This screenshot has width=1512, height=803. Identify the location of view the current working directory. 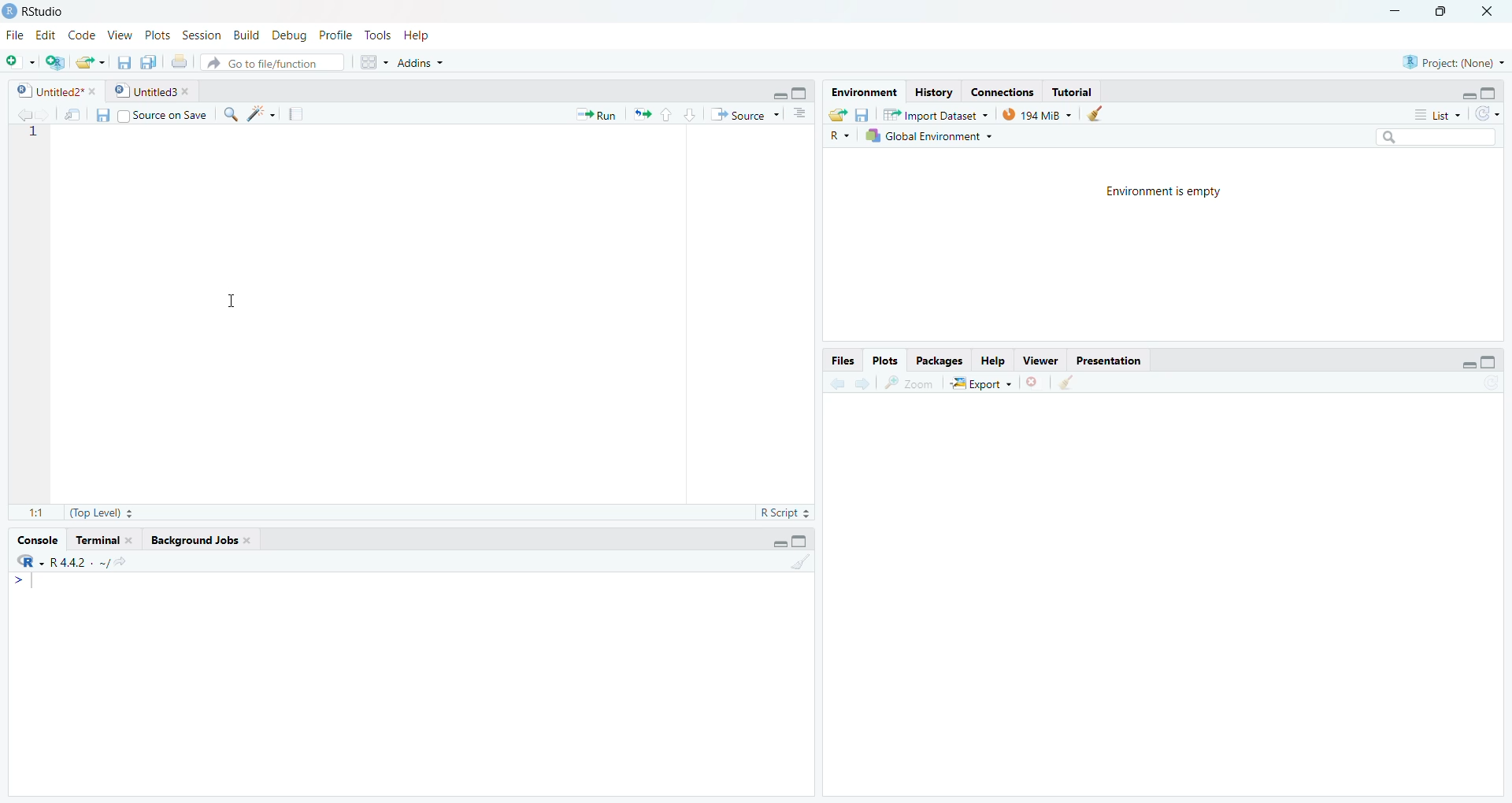
(120, 563).